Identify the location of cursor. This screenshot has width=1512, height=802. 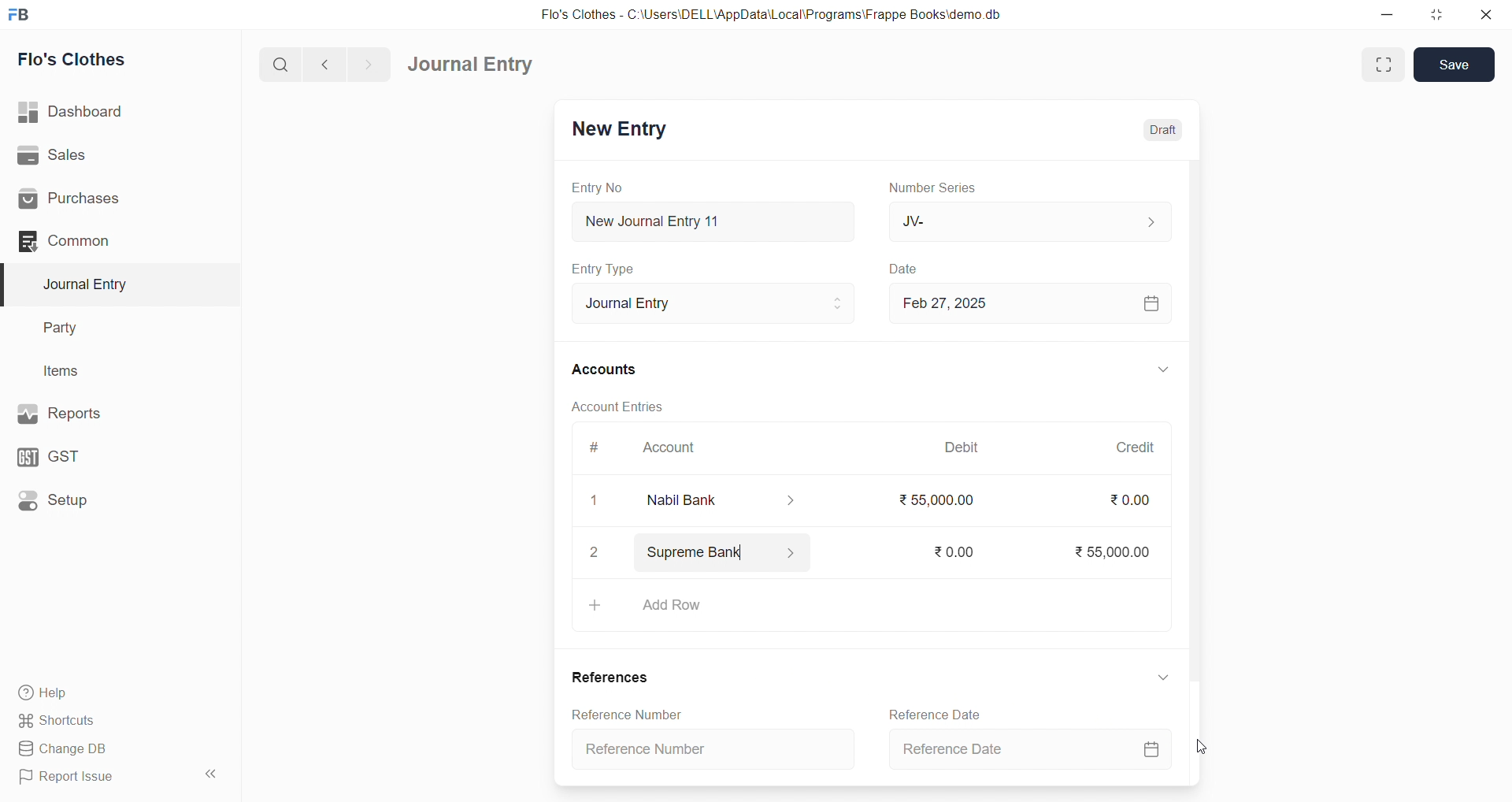
(1197, 748).